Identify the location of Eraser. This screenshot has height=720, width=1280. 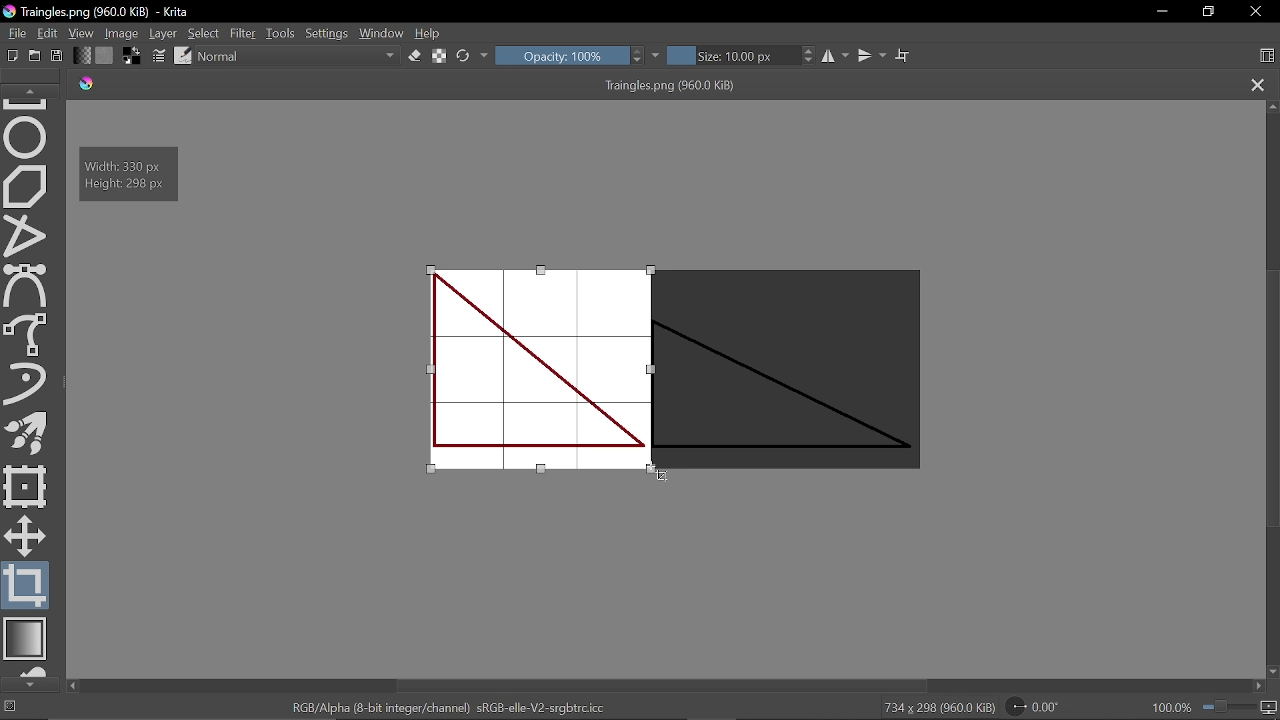
(414, 56).